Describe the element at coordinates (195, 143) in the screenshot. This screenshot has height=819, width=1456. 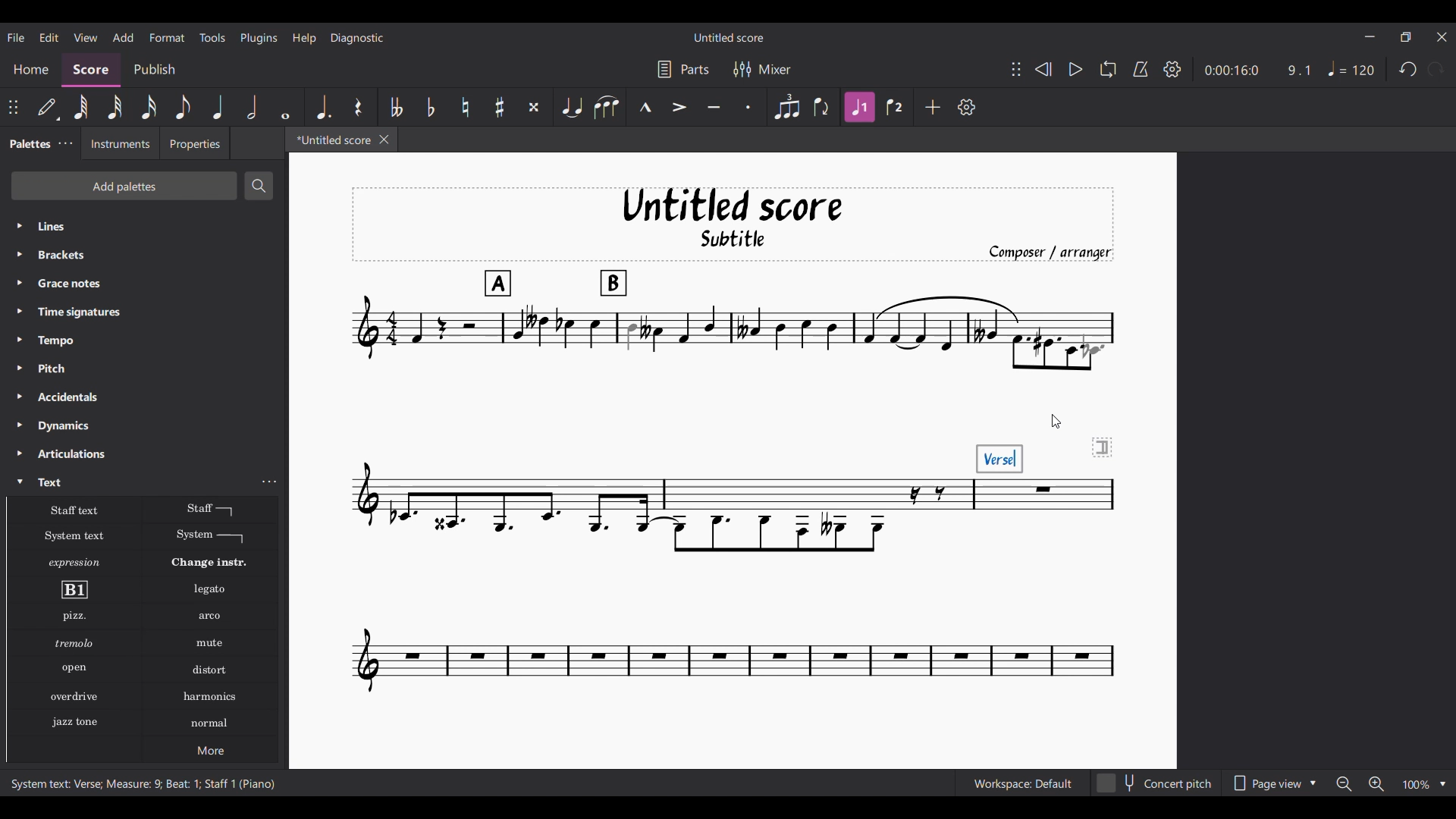
I see `Properties` at that location.